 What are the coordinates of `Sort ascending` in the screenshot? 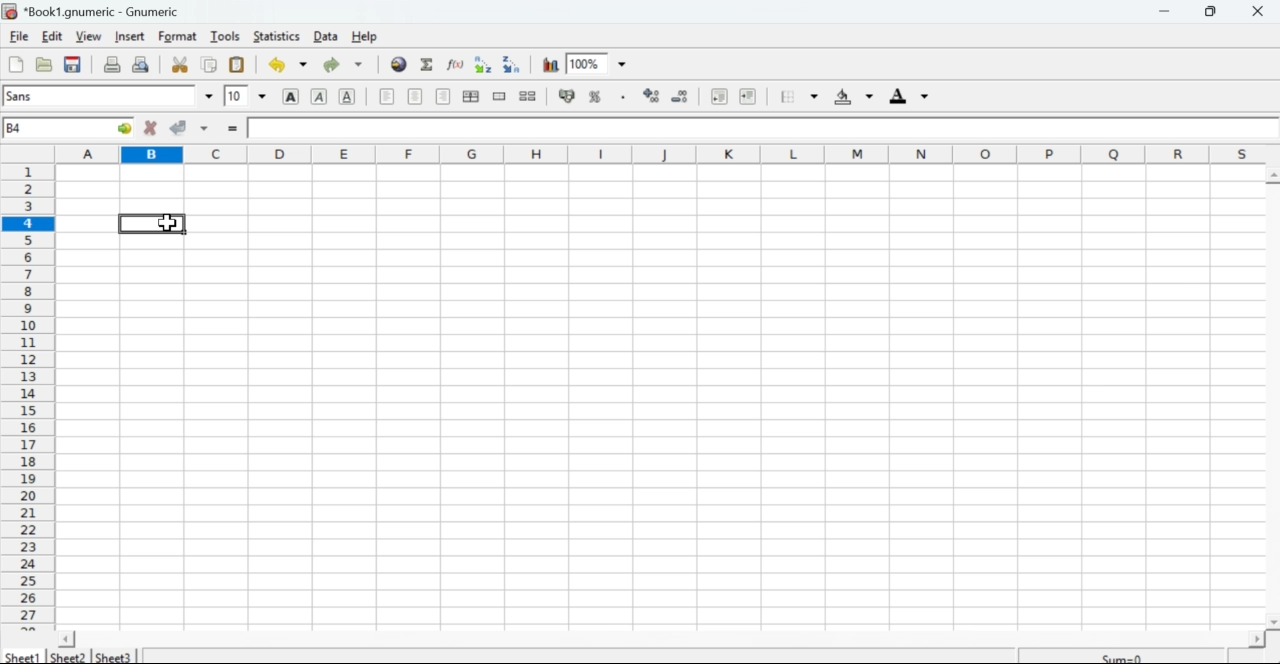 It's located at (483, 65).